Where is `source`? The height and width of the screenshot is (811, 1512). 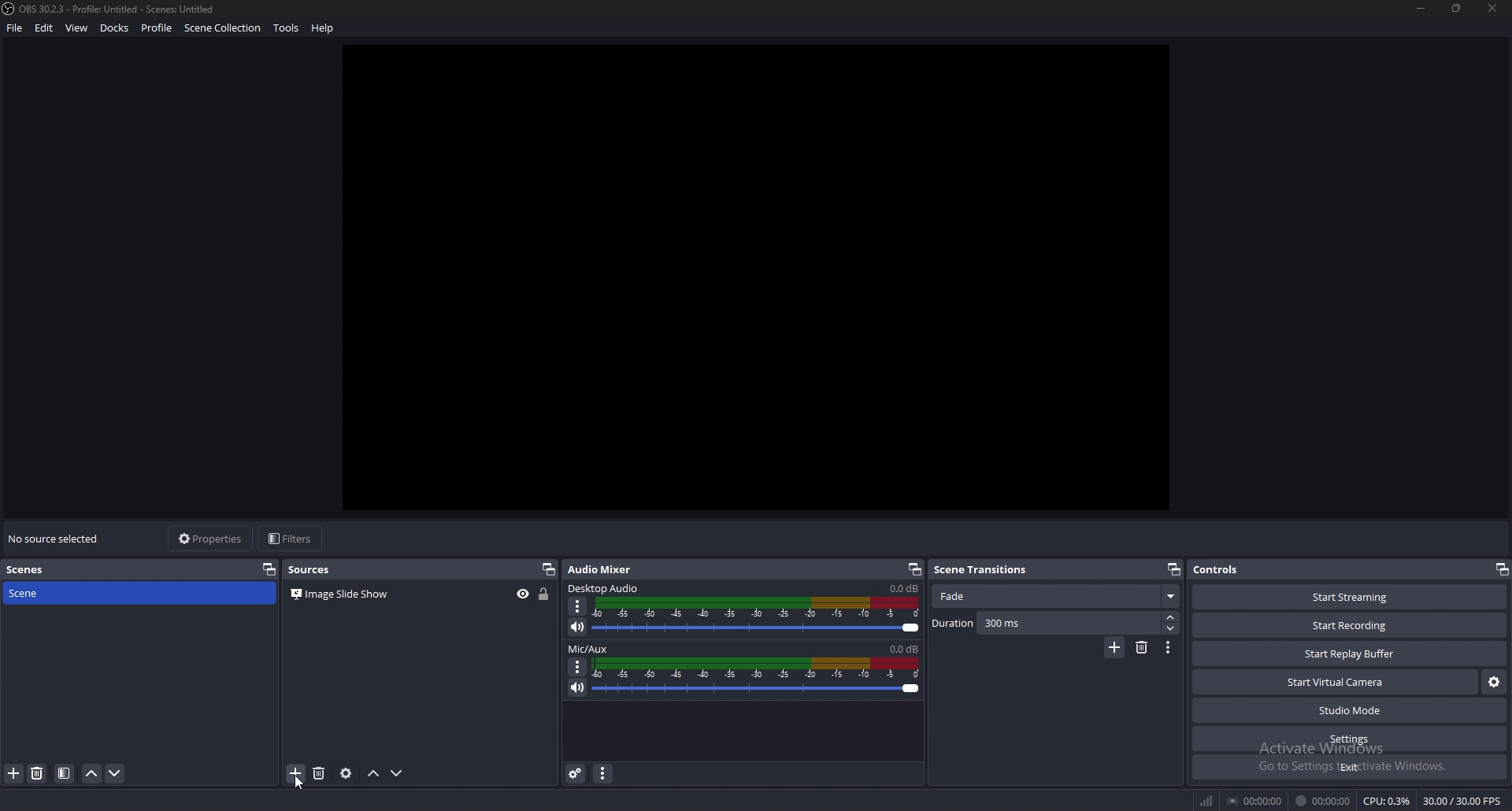
source is located at coordinates (347, 595).